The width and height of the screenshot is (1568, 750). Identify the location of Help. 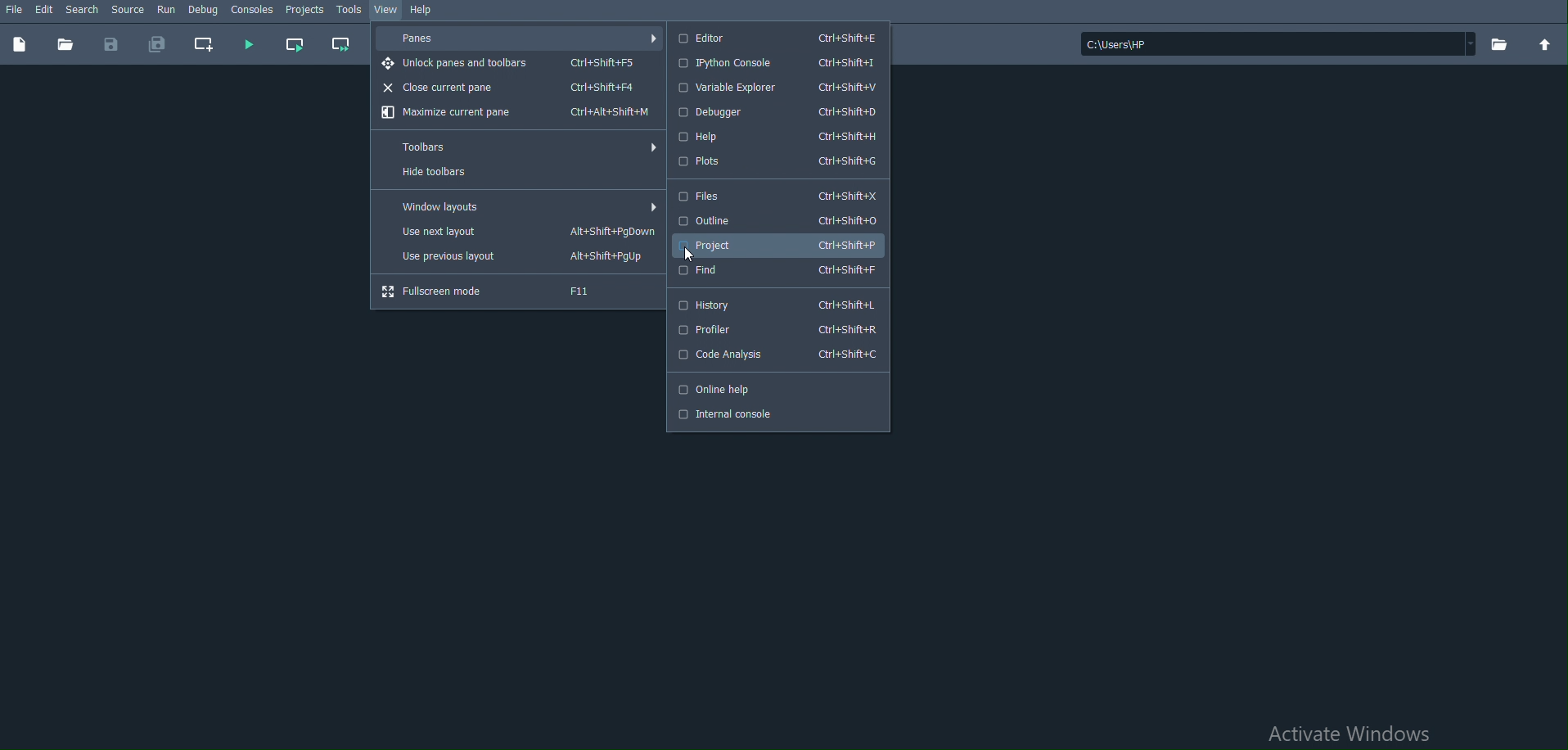
(422, 8).